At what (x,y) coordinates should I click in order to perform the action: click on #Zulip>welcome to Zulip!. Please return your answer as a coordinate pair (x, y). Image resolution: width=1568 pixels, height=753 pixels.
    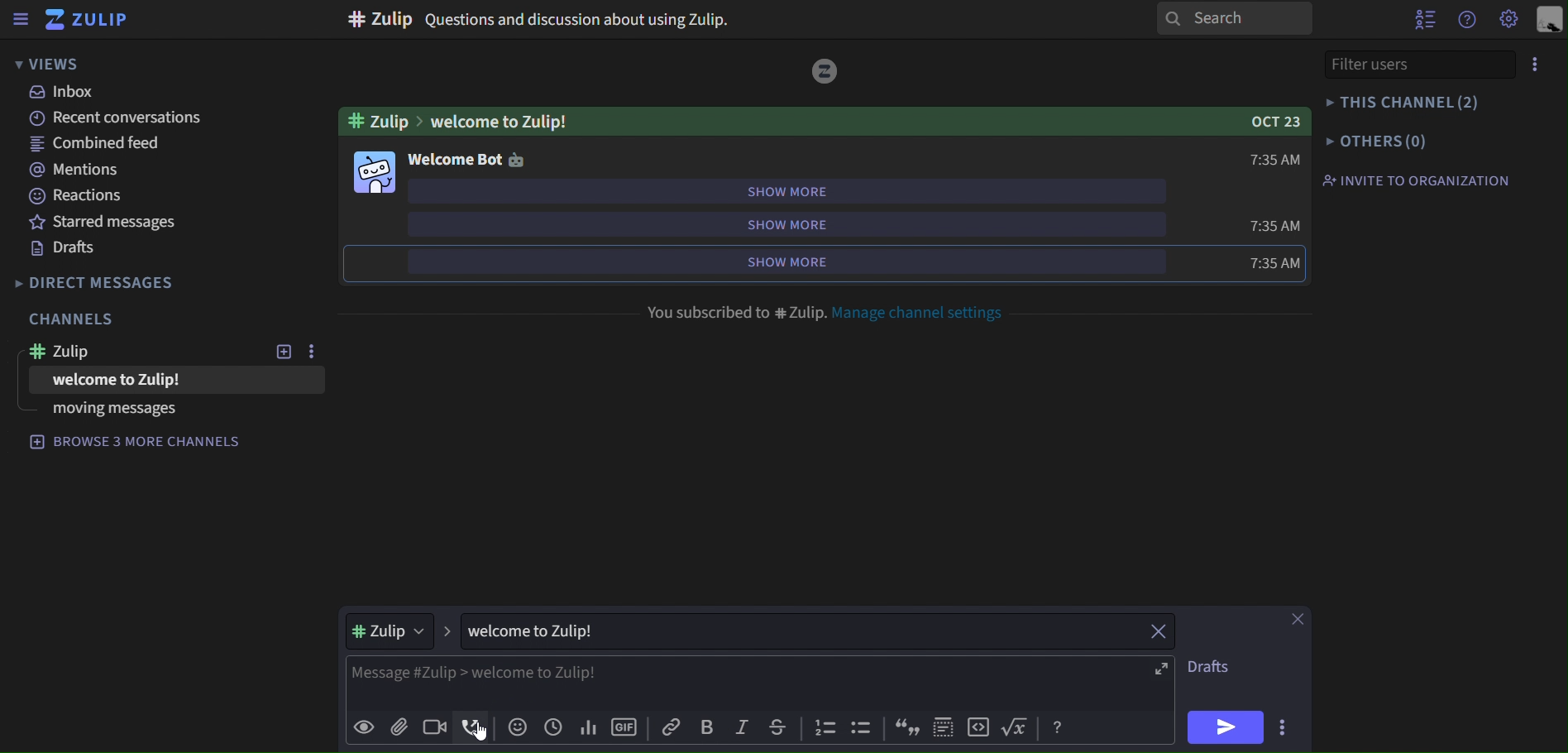
    Looking at the image, I should click on (457, 122).